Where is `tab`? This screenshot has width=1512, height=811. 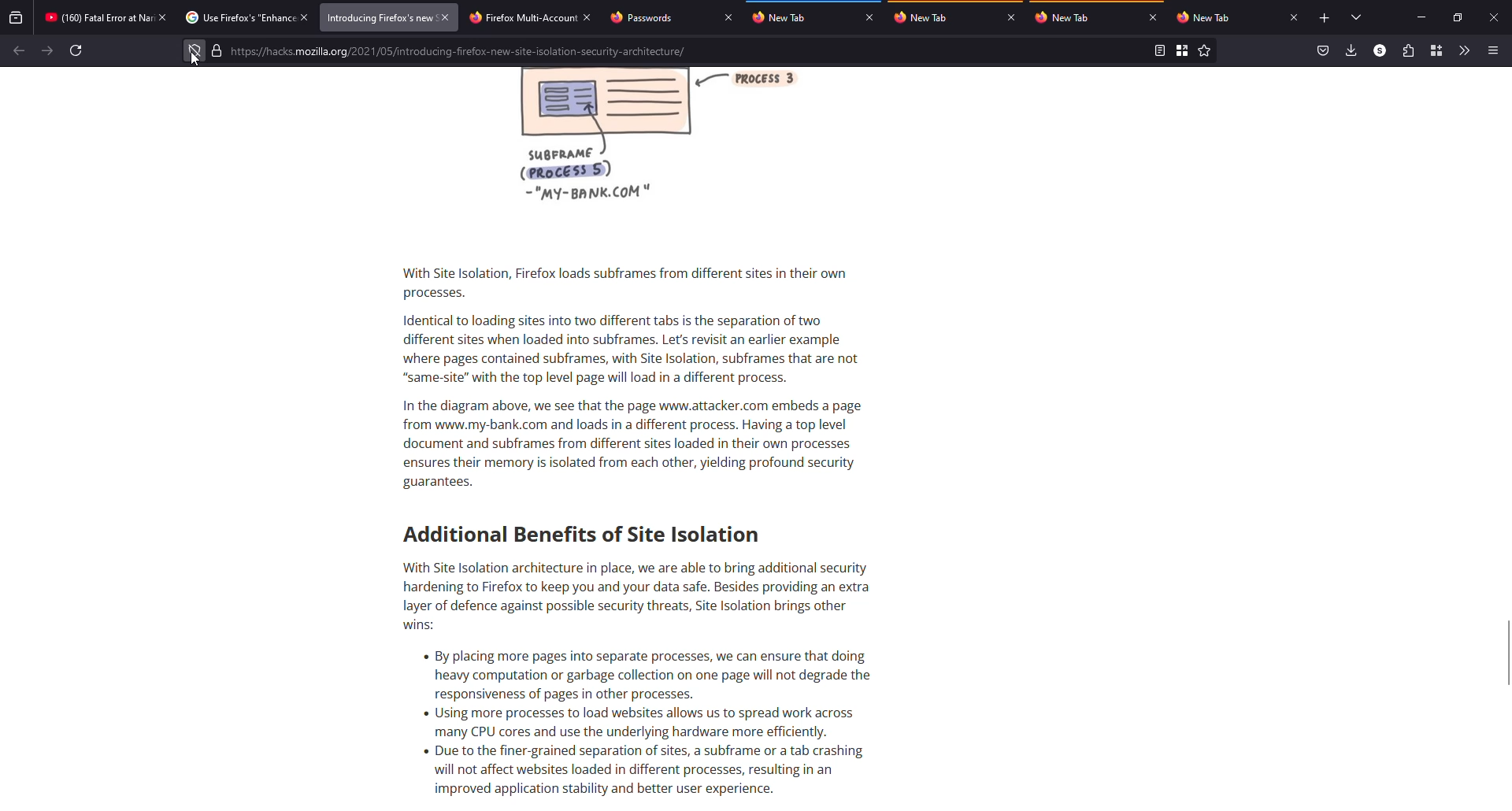 tab is located at coordinates (931, 17).